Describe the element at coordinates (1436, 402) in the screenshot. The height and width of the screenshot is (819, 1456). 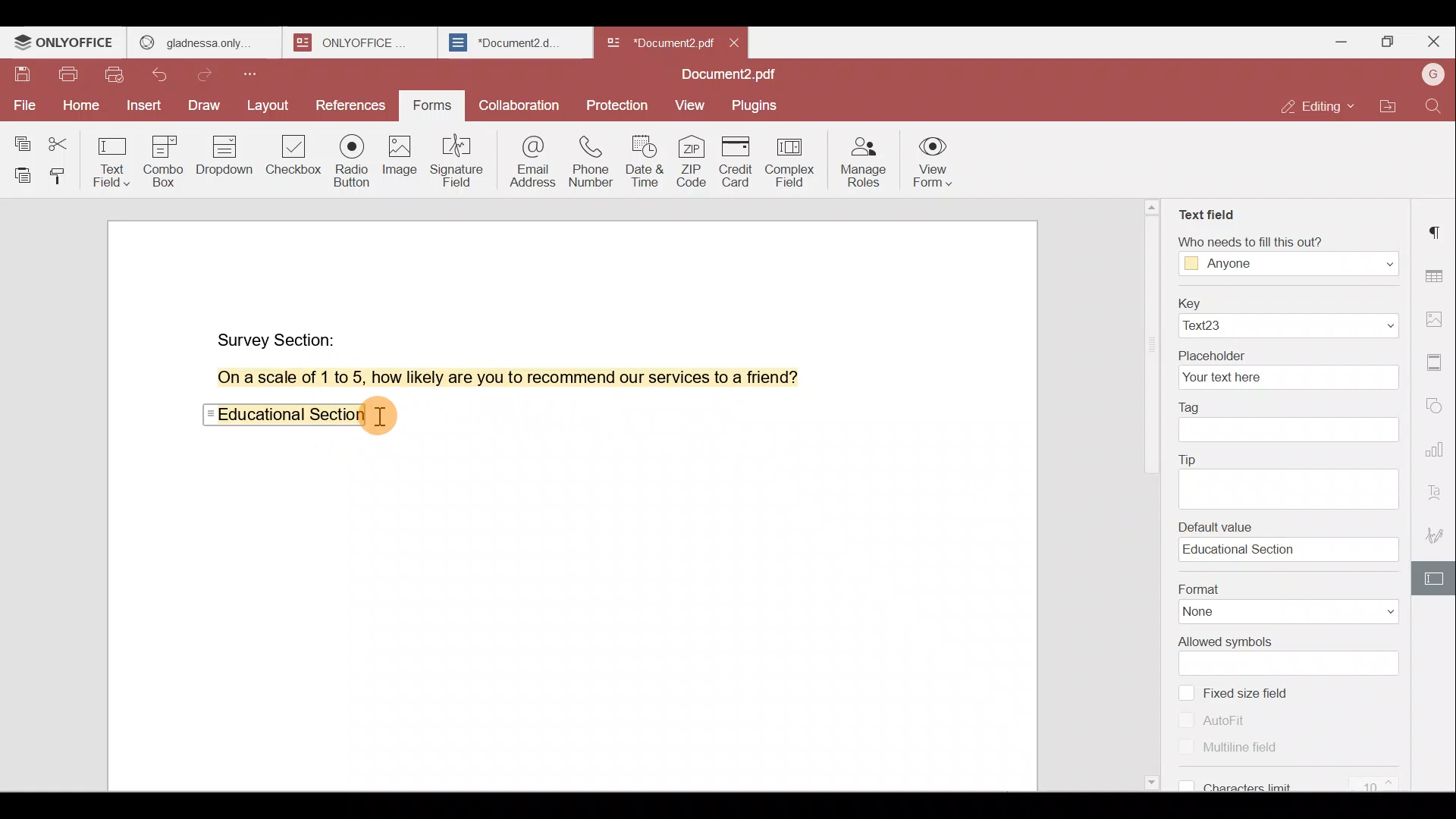
I see `Shapes settings` at that location.